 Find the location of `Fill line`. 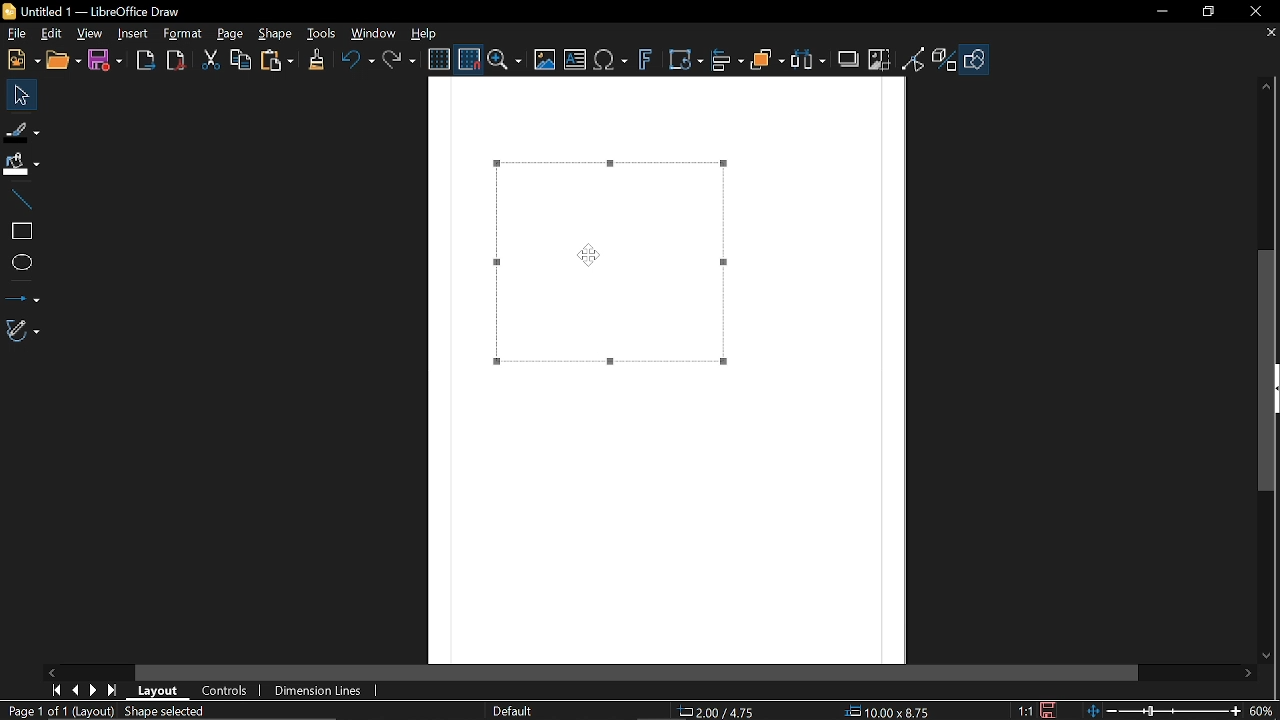

Fill line is located at coordinates (22, 130).